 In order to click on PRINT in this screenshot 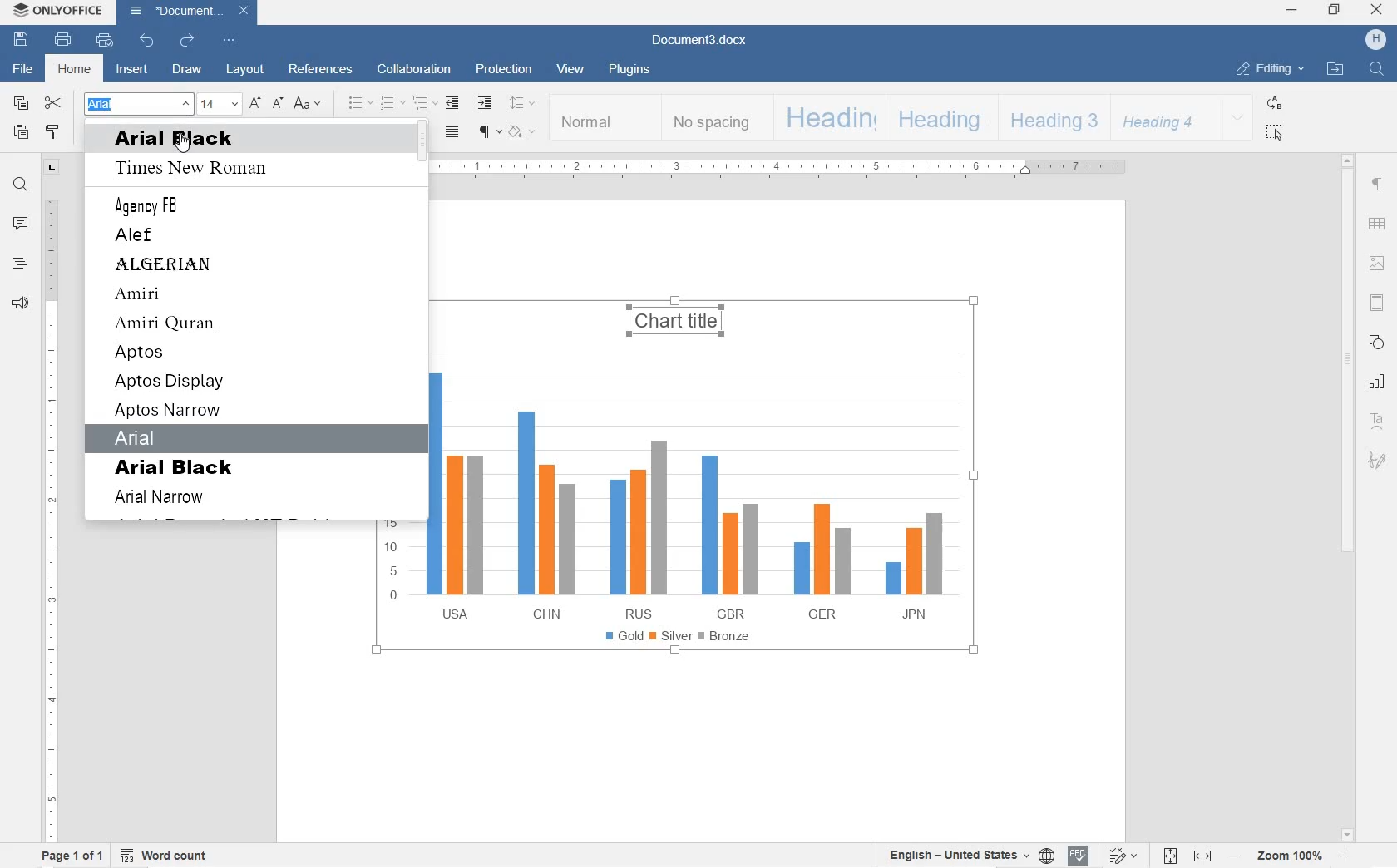, I will do `click(65, 42)`.